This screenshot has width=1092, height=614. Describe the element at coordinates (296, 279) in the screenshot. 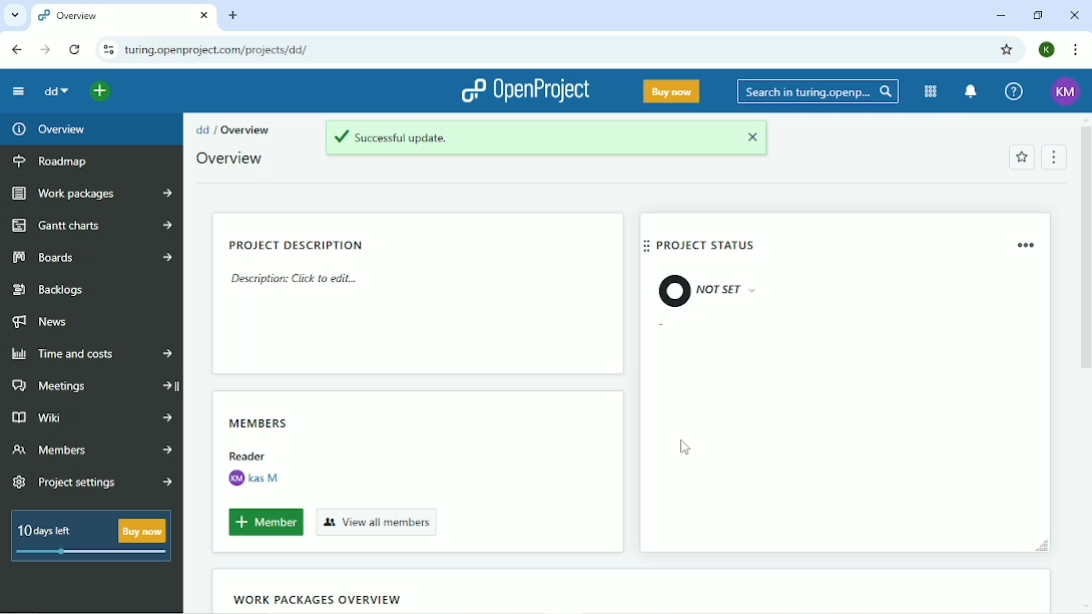

I see `Description: Click to edit...` at that location.